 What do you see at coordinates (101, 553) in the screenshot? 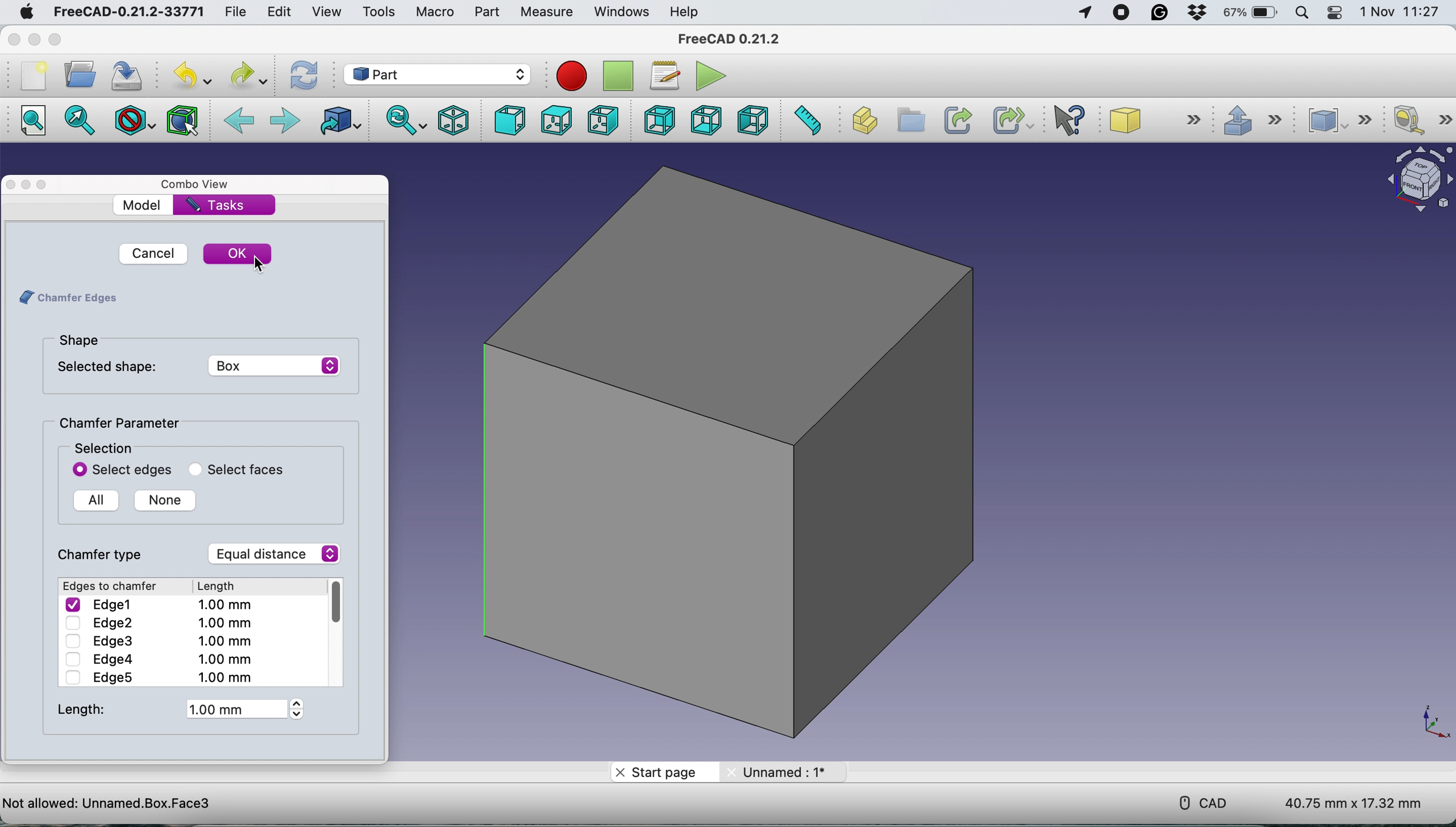
I see `chamfer type` at bounding box center [101, 553].